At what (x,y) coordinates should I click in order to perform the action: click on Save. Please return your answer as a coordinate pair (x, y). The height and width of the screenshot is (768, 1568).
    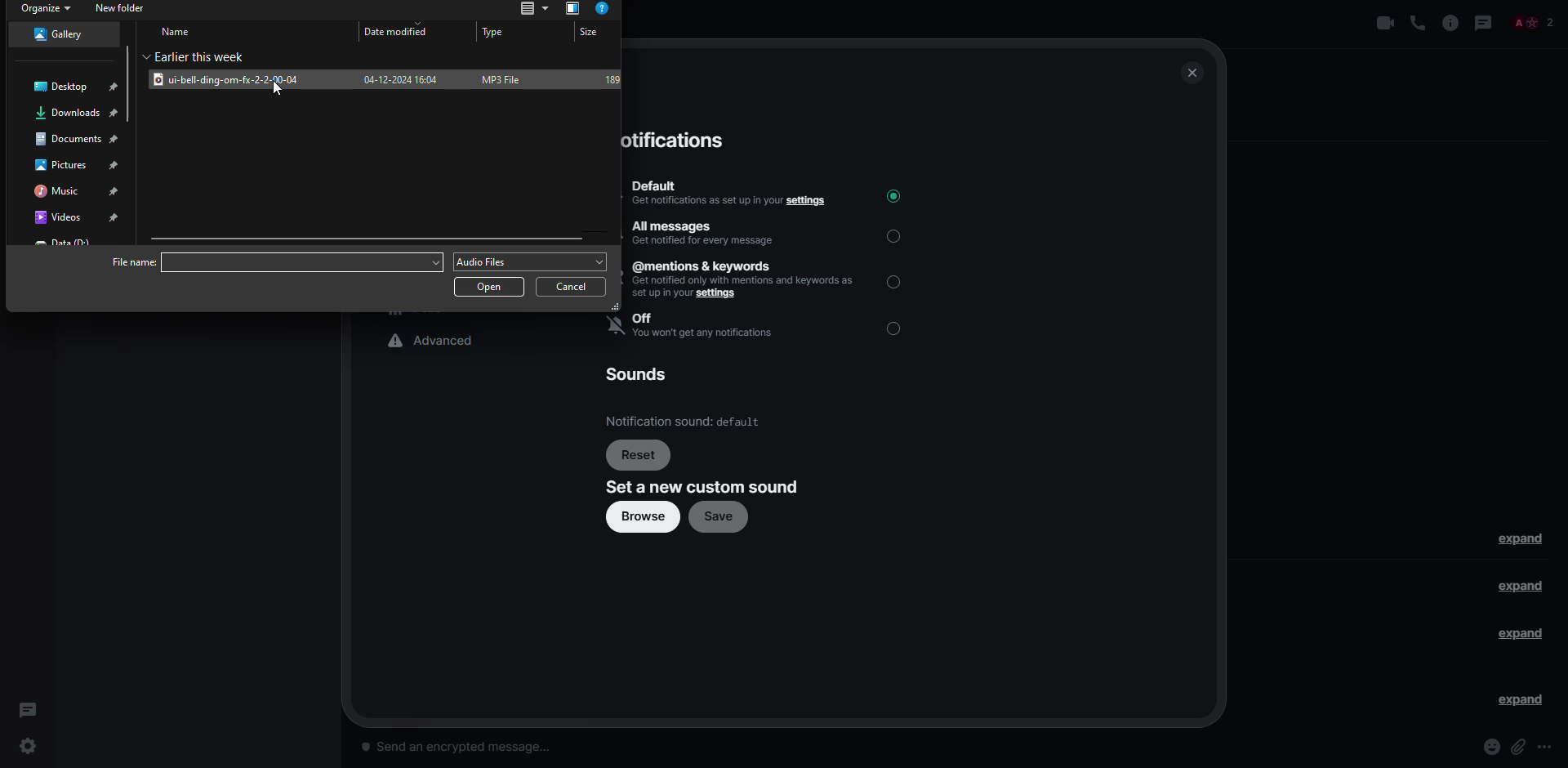
    Looking at the image, I should click on (592, 32).